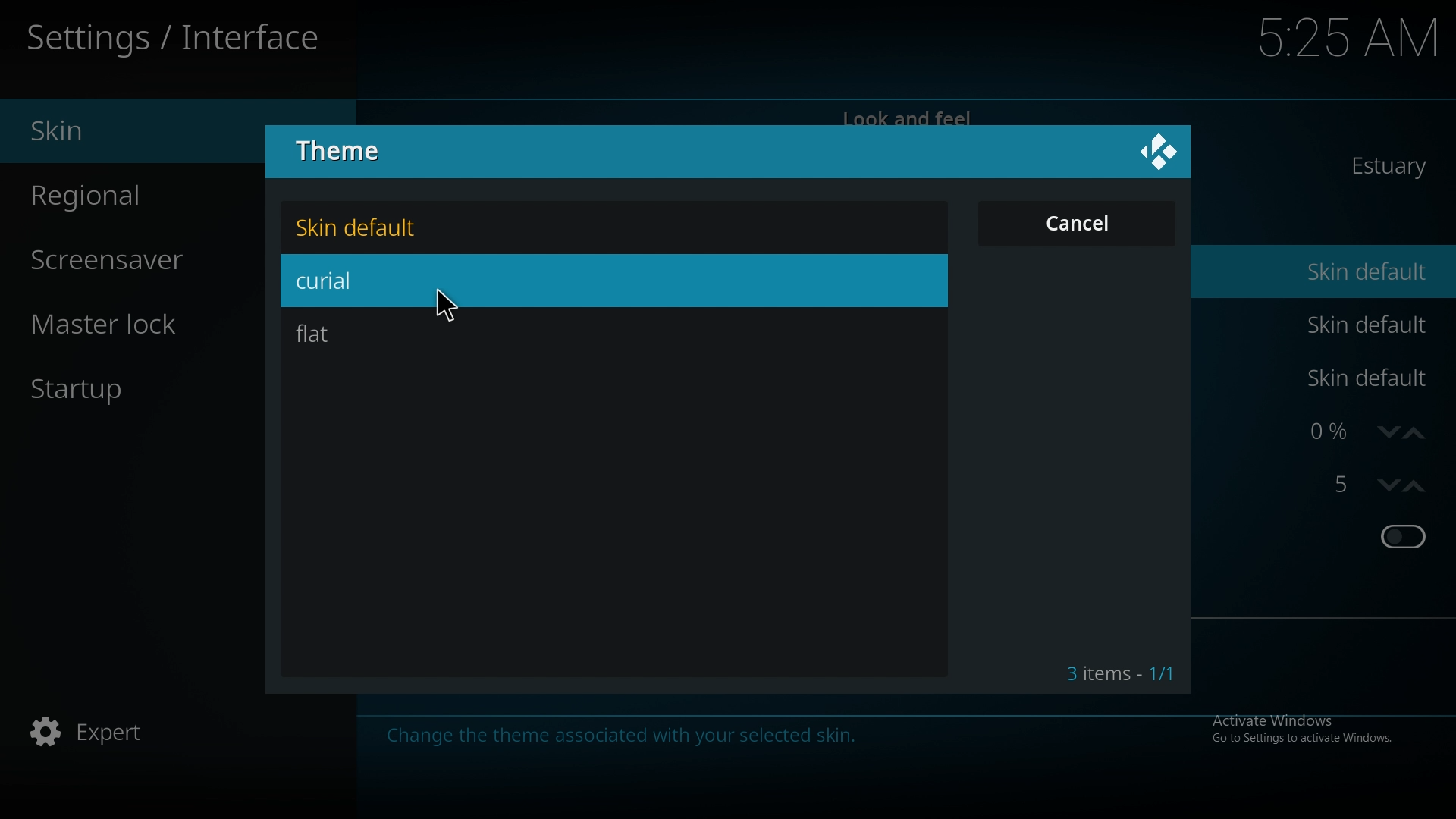 The height and width of the screenshot is (819, 1456). I want to click on decrease zoom, so click(1386, 430).